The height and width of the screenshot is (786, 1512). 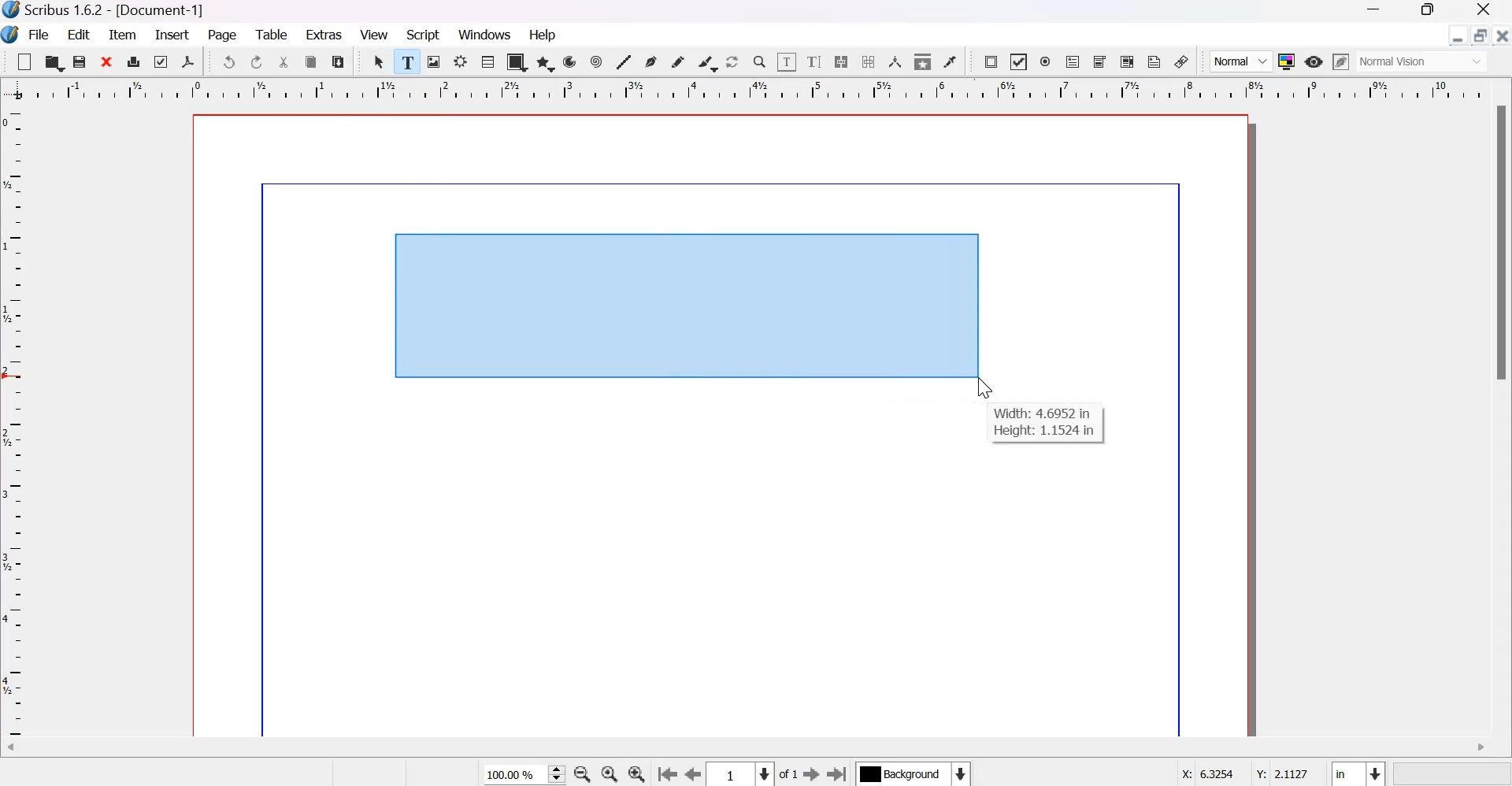 I want to click on Normal Vision, so click(x=1424, y=61).